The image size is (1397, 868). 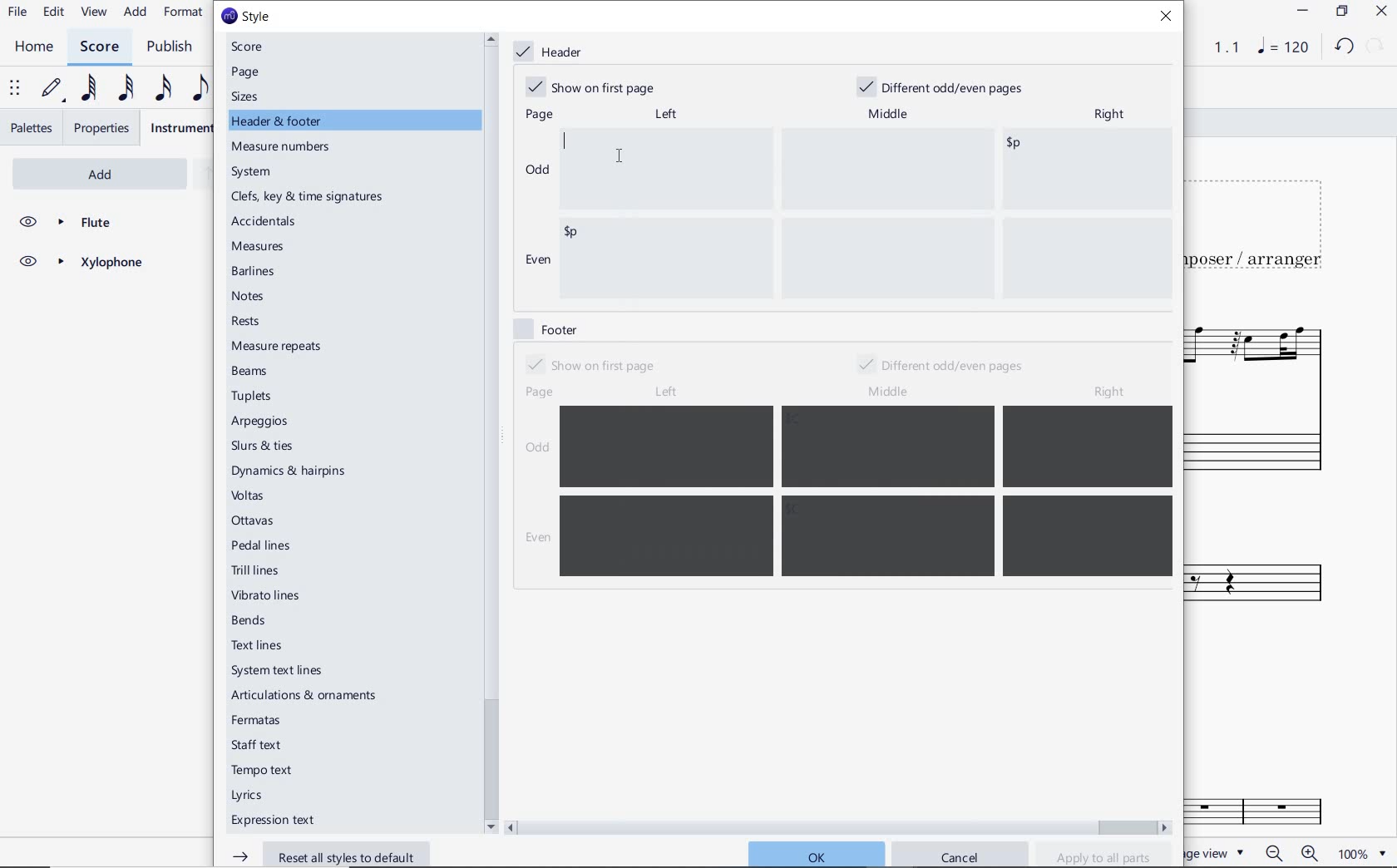 What do you see at coordinates (78, 172) in the screenshot?
I see `ADD` at bounding box center [78, 172].